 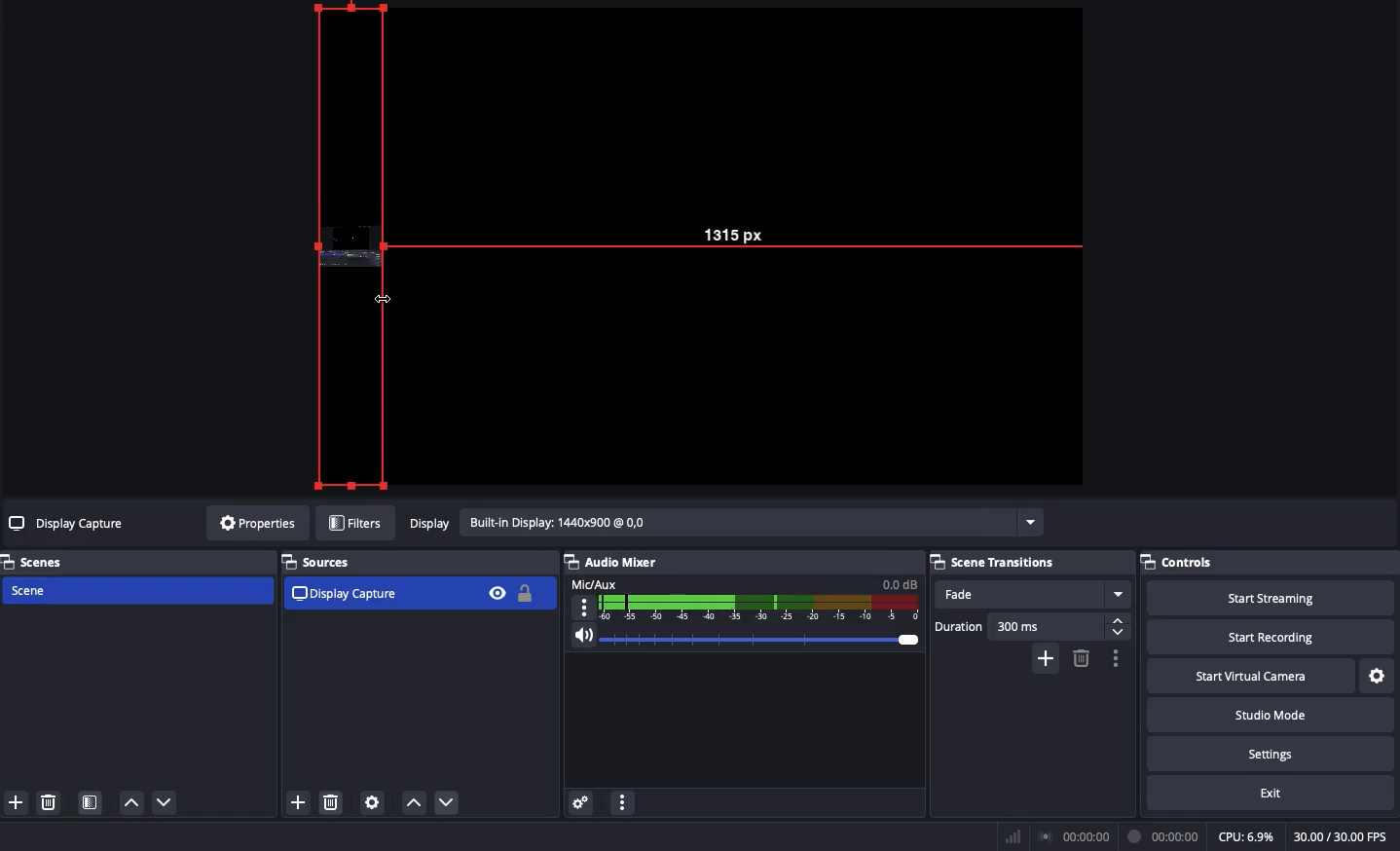 What do you see at coordinates (742, 598) in the screenshot?
I see `Mic/Aux` at bounding box center [742, 598].